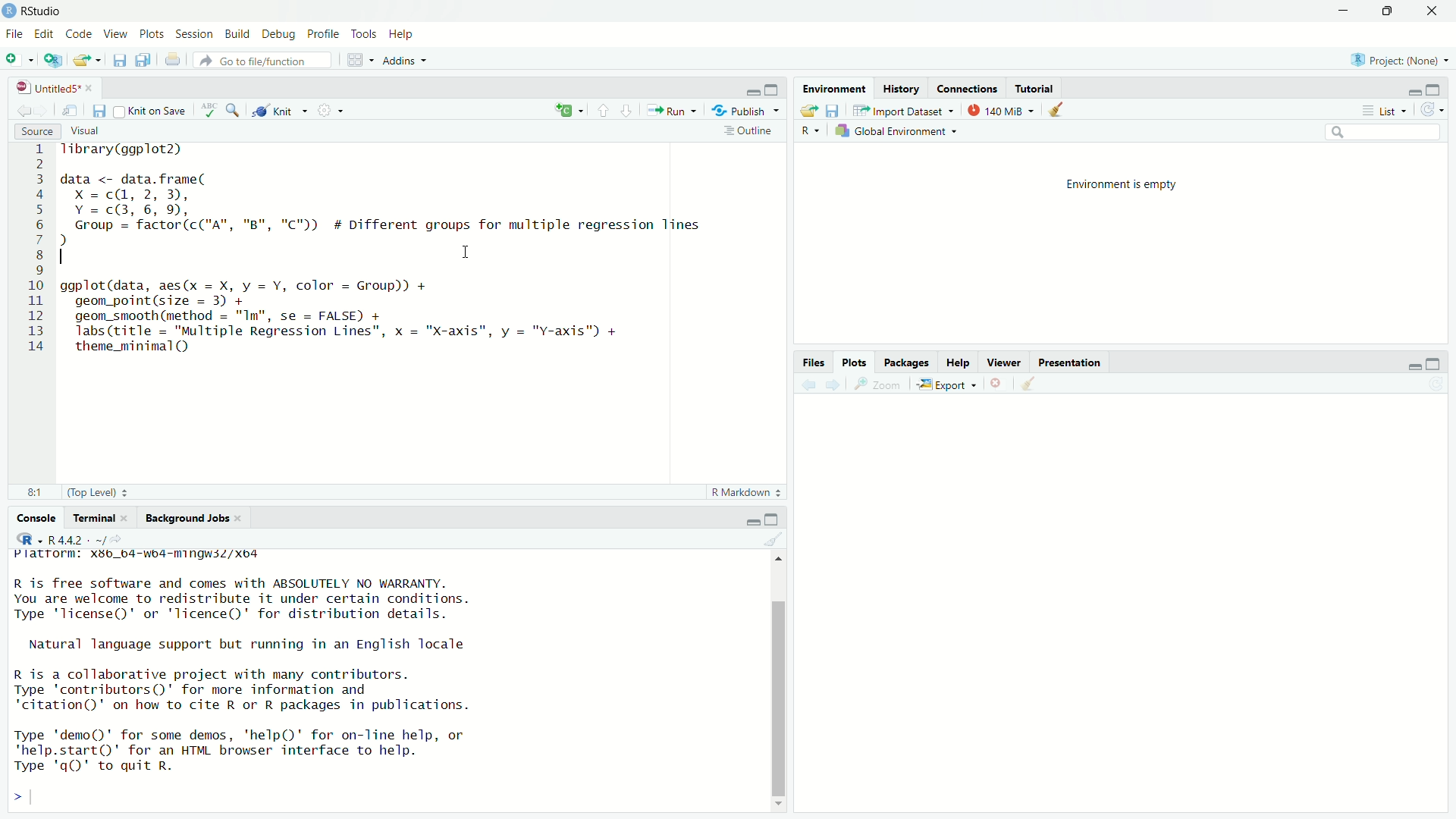 This screenshot has height=819, width=1456. I want to click on Knit, so click(281, 111).